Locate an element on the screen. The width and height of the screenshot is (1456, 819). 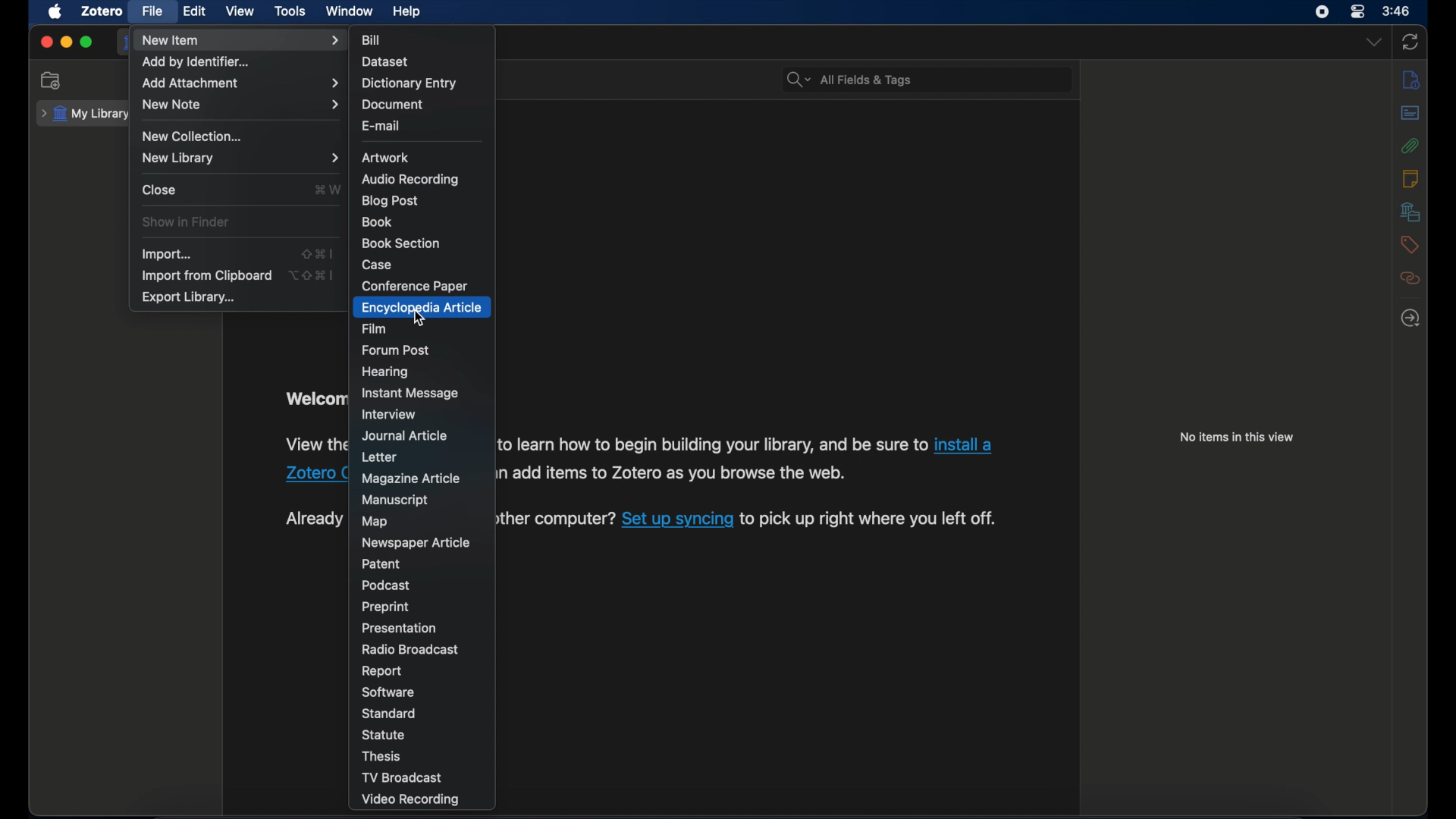
no items in this view is located at coordinates (1238, 438).